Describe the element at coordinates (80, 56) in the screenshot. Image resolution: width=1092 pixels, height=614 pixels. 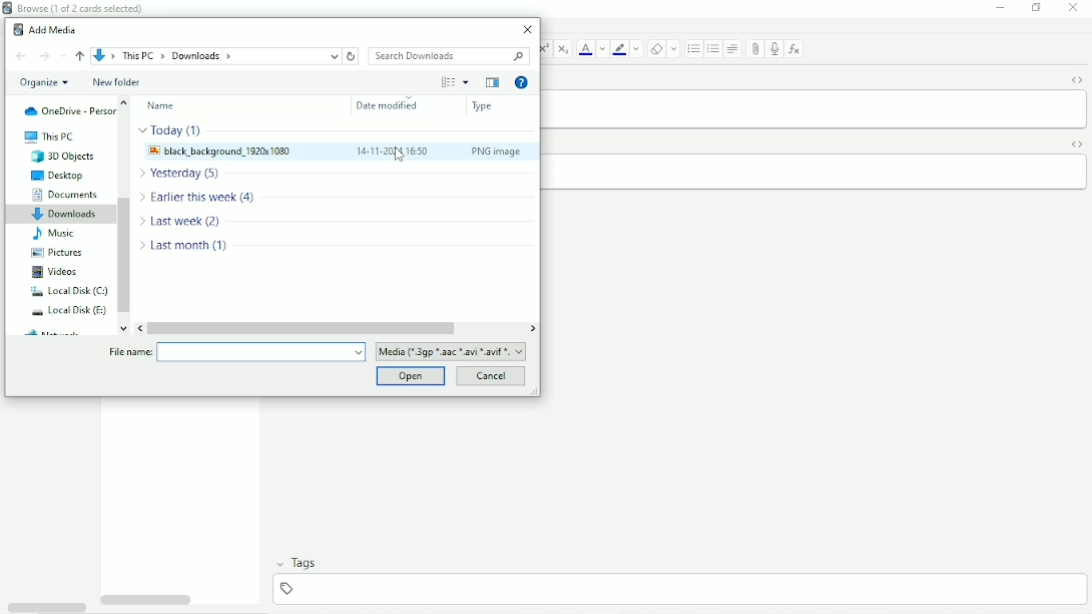
I see `Up to ''This PC"` at that location.